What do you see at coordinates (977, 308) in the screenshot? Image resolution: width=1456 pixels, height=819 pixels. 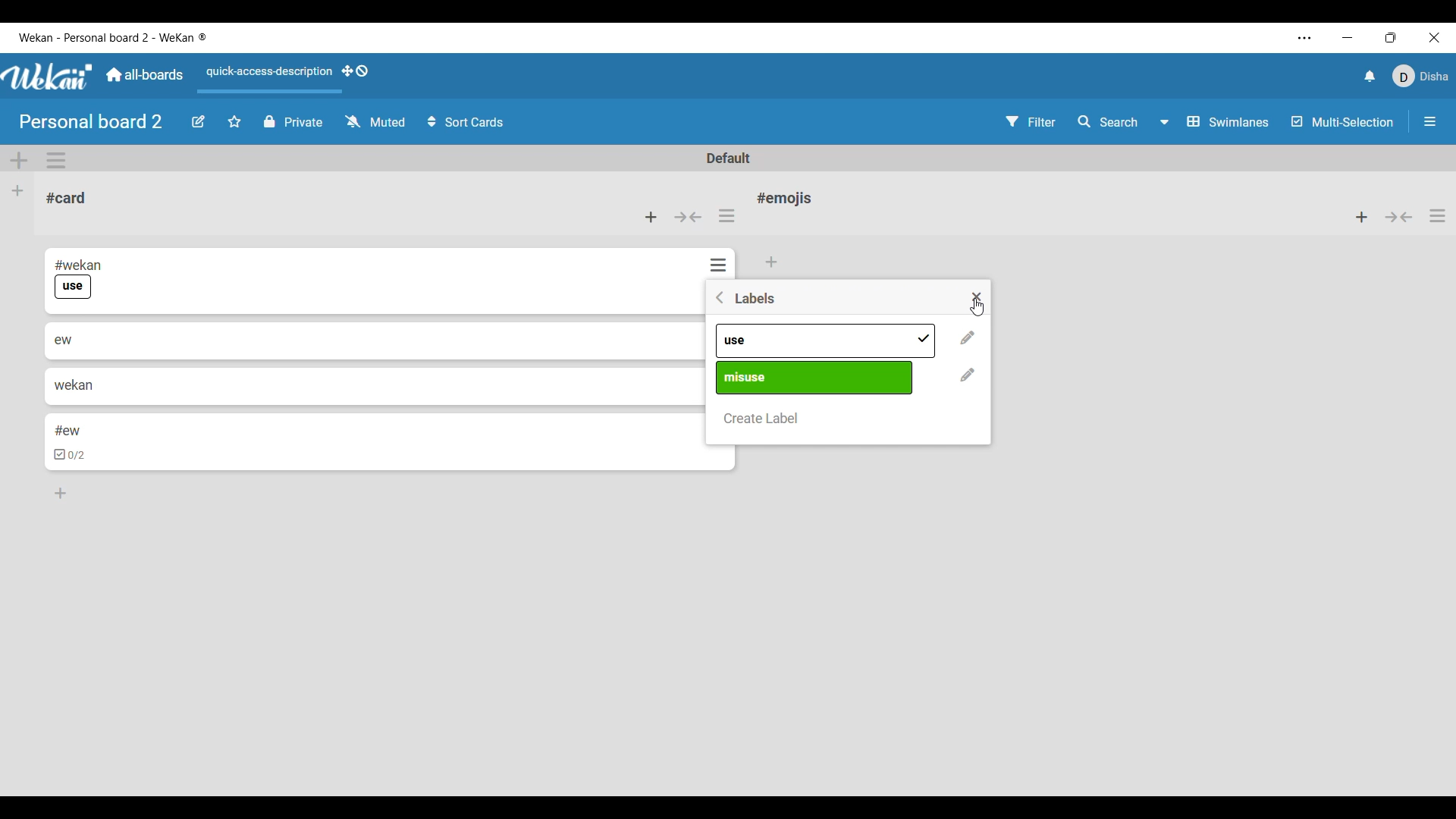 I see `Cursor clicking on close` at bounding box center [977, 308].